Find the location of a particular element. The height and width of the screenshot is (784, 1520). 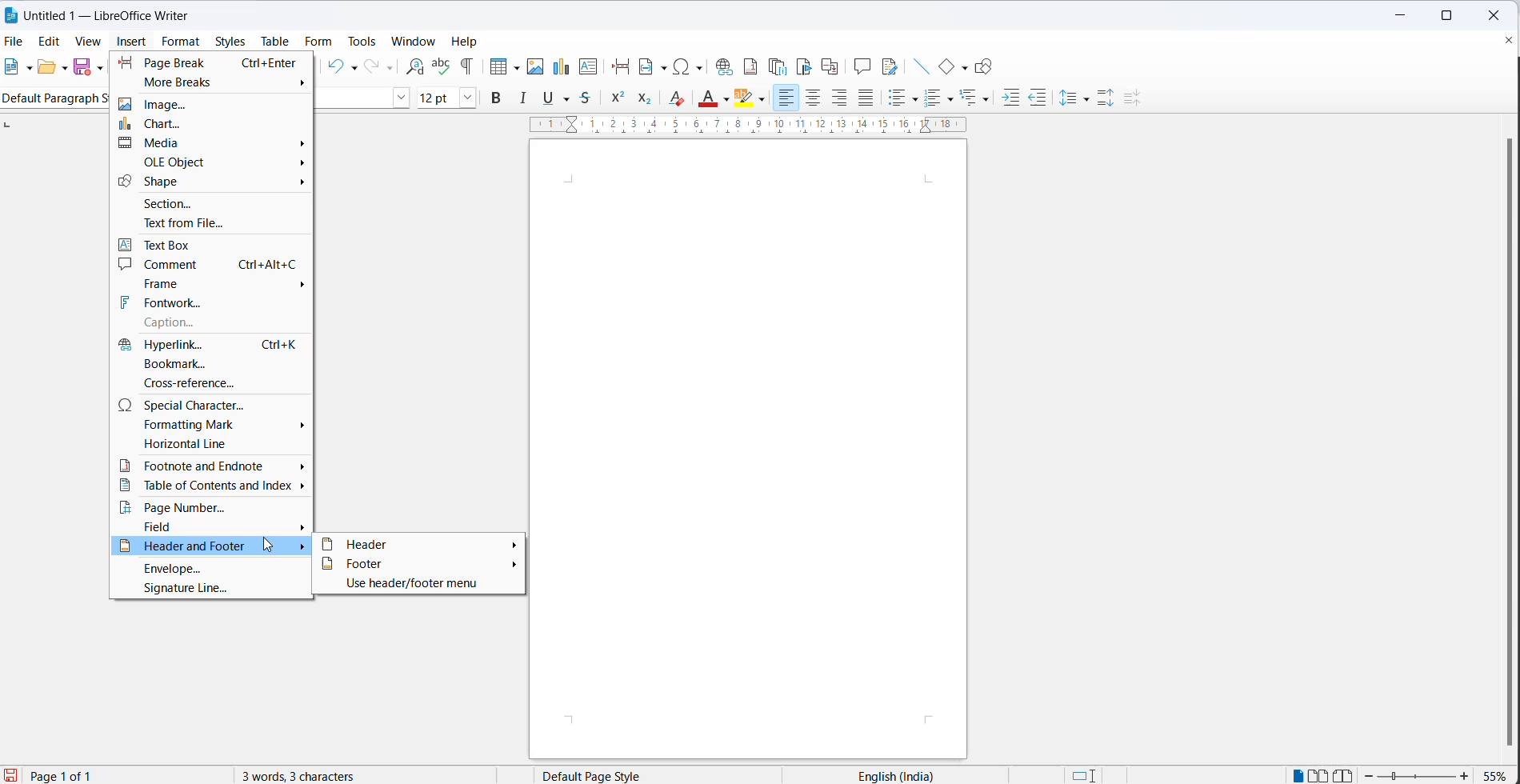

close is located at coordinates (748, 453).